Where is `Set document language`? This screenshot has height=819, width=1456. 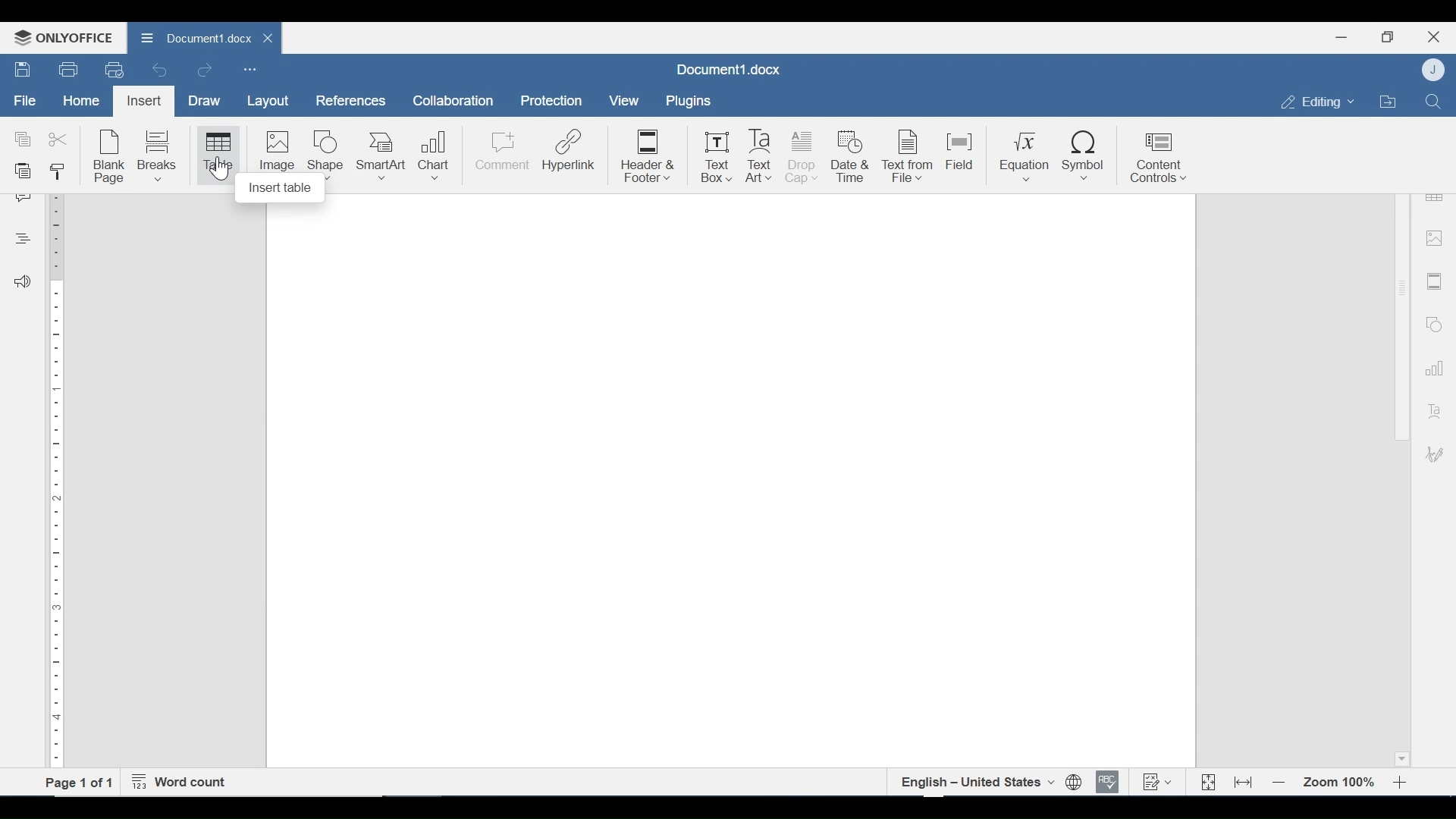
Set document language is located at coordinates (1075, 783).